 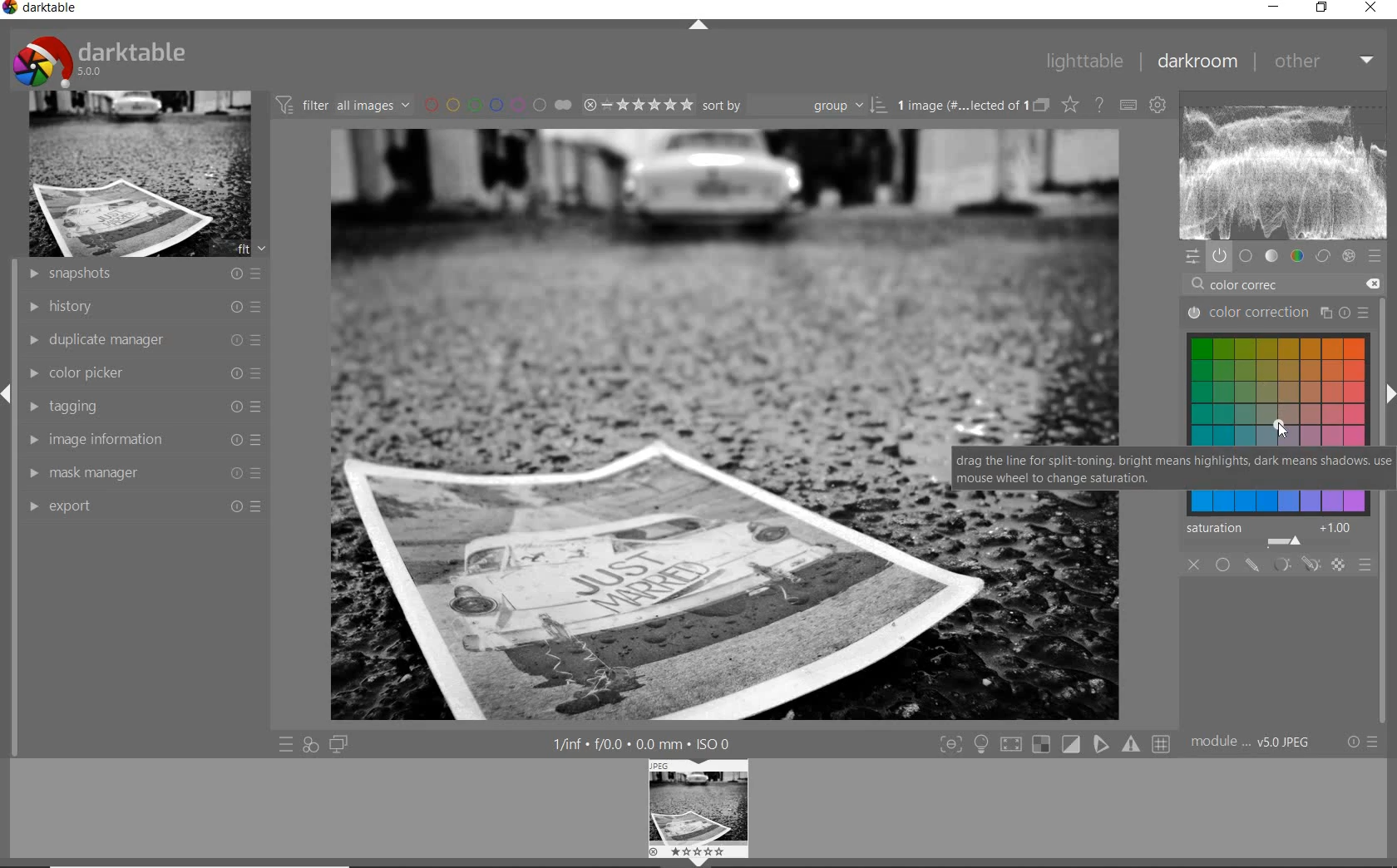 What do you see at coordinates (1274, 535) in the screenshot?
I see `saturation` at bounding box center [1274, 535].